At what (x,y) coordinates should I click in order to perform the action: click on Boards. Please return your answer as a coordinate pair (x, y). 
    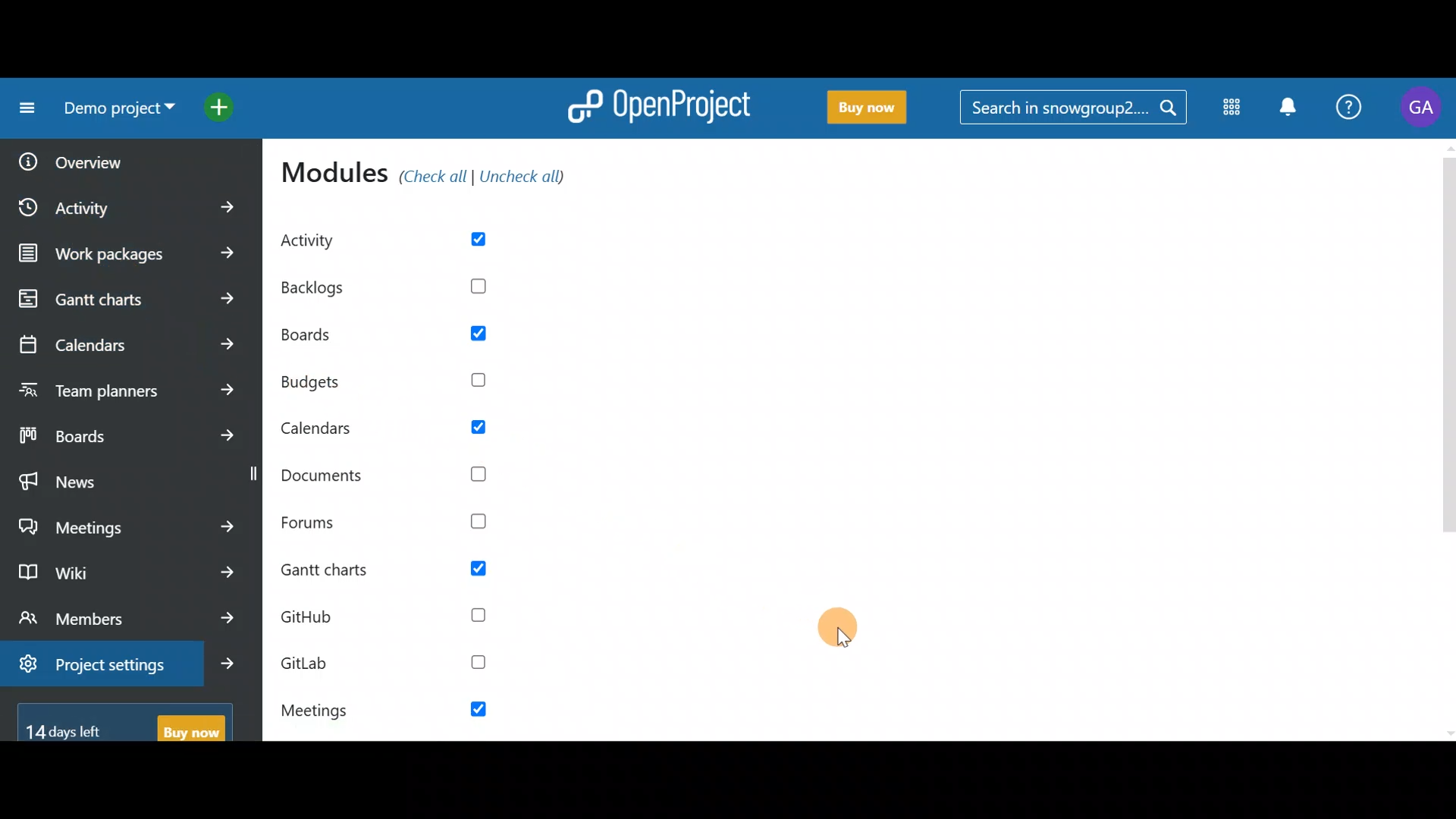
    Looking at the image, I should click on (396, 337).